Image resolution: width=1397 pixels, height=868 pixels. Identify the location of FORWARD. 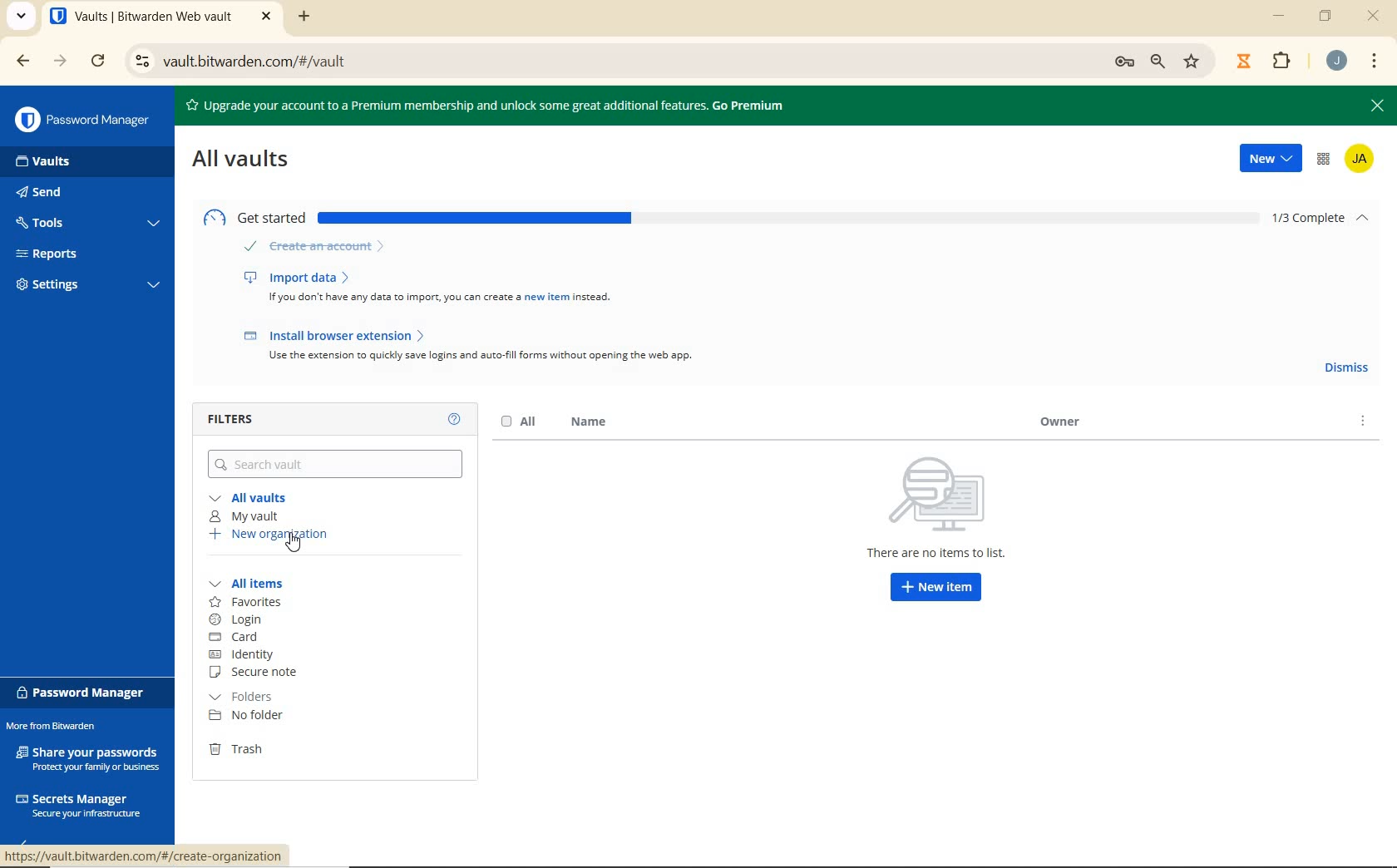
(60, 62).